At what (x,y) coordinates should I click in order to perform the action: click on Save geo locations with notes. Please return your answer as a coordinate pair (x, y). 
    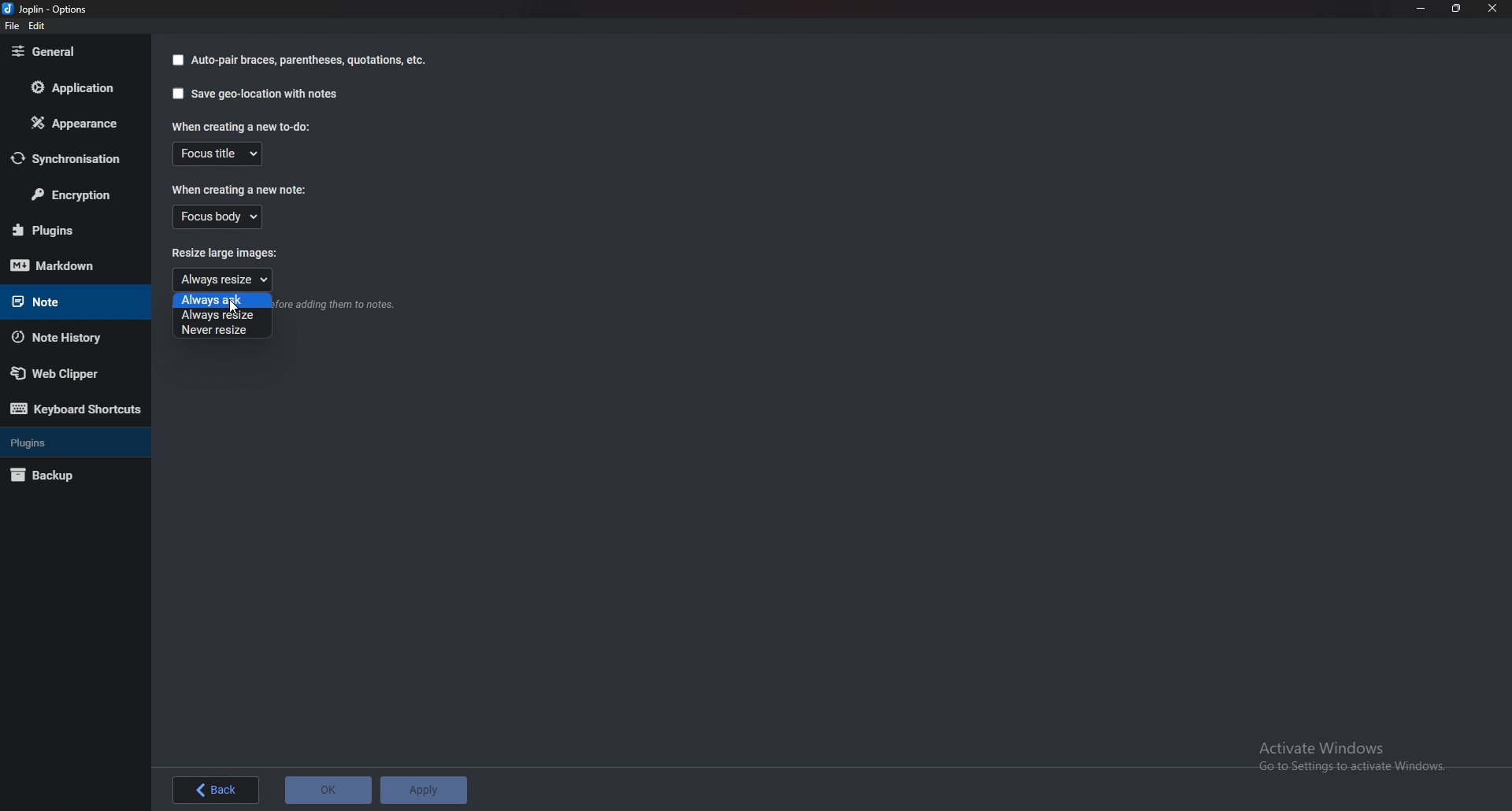
    Looking at the image, I should click on (266, 94).